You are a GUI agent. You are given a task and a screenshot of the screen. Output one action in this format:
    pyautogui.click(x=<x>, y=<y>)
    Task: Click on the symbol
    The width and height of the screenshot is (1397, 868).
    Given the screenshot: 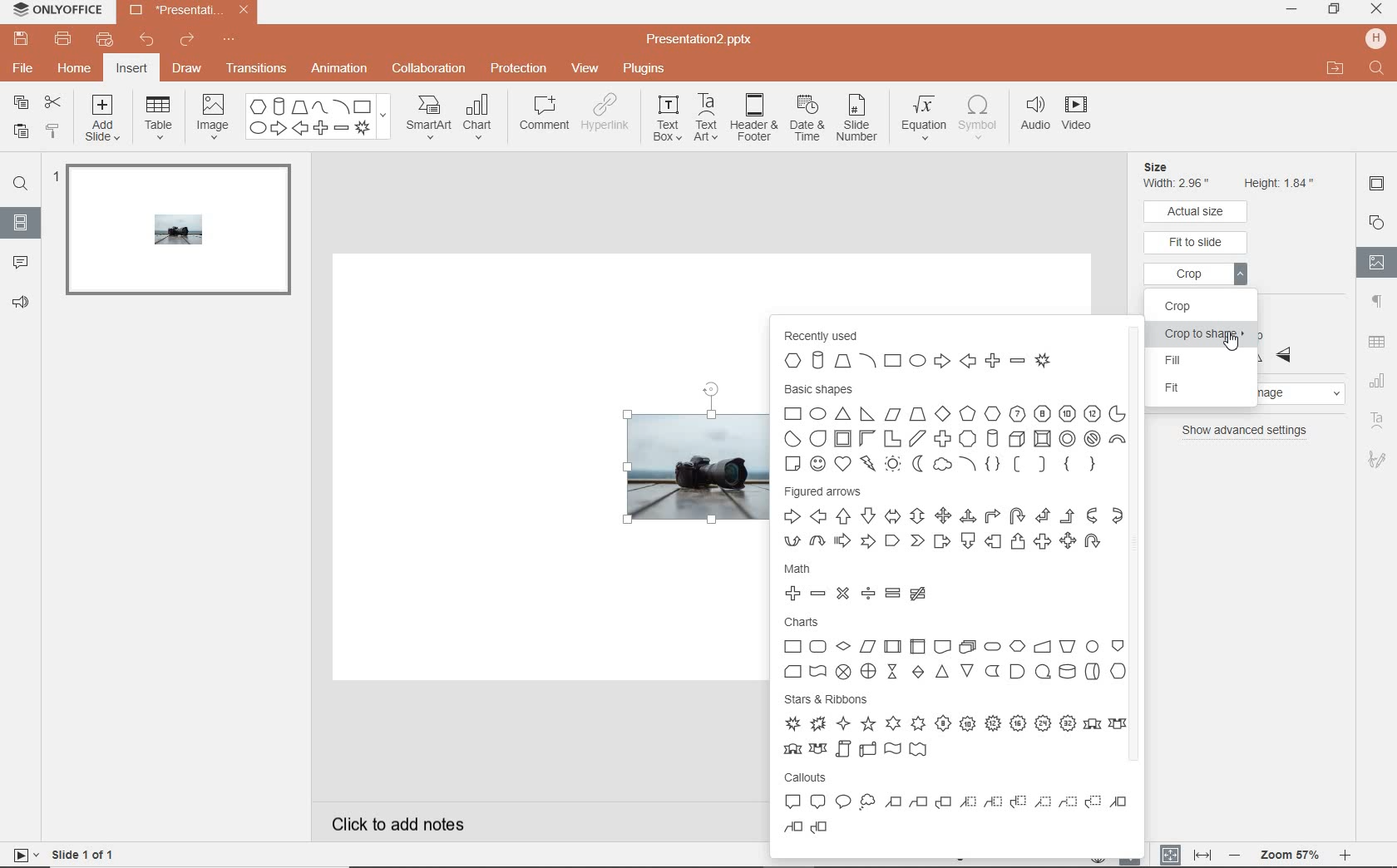 What is the action you would take?
    pyautogui.click(x=980, y=117)
    